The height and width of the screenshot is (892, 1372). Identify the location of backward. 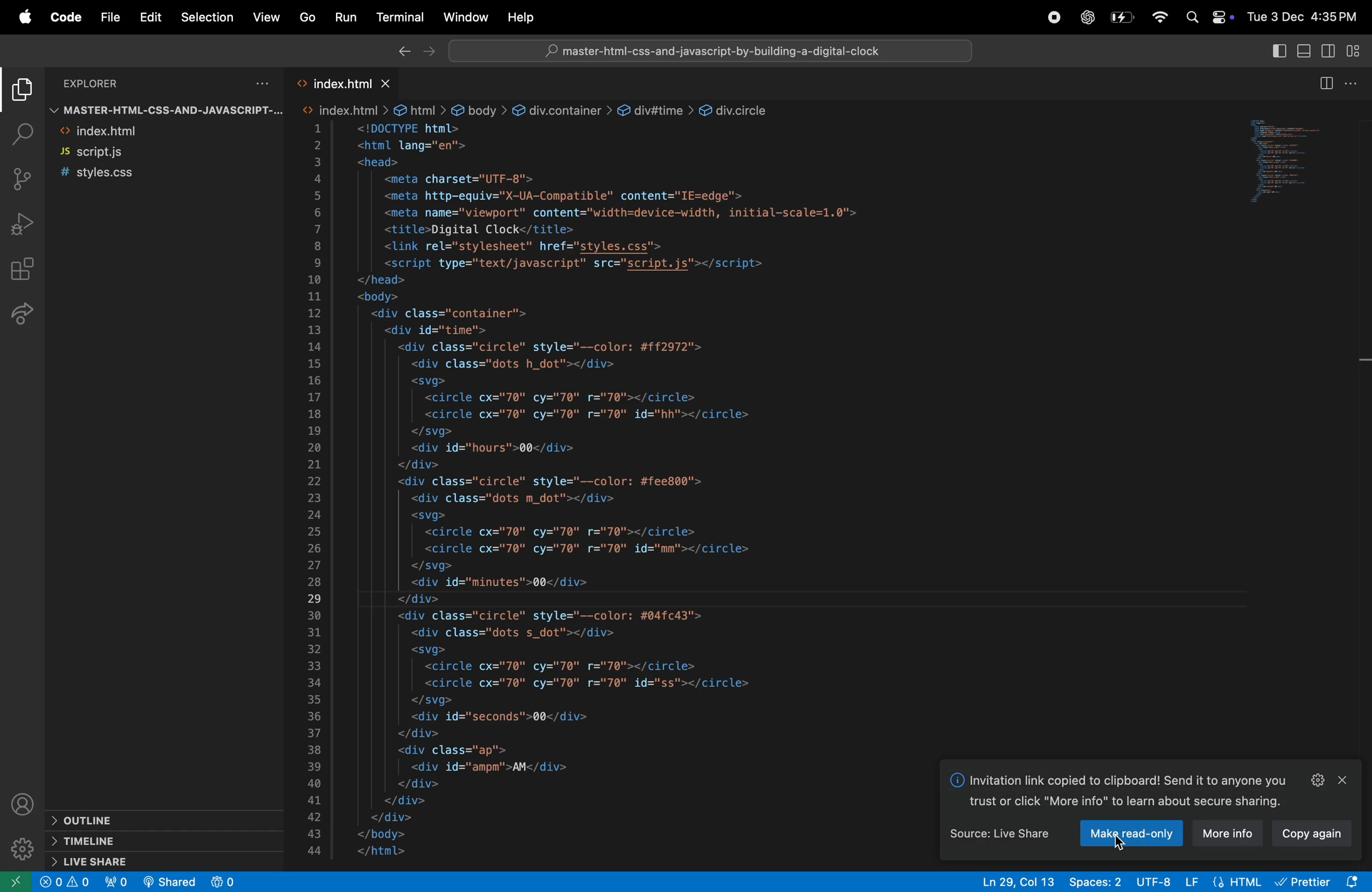
(402, 52).